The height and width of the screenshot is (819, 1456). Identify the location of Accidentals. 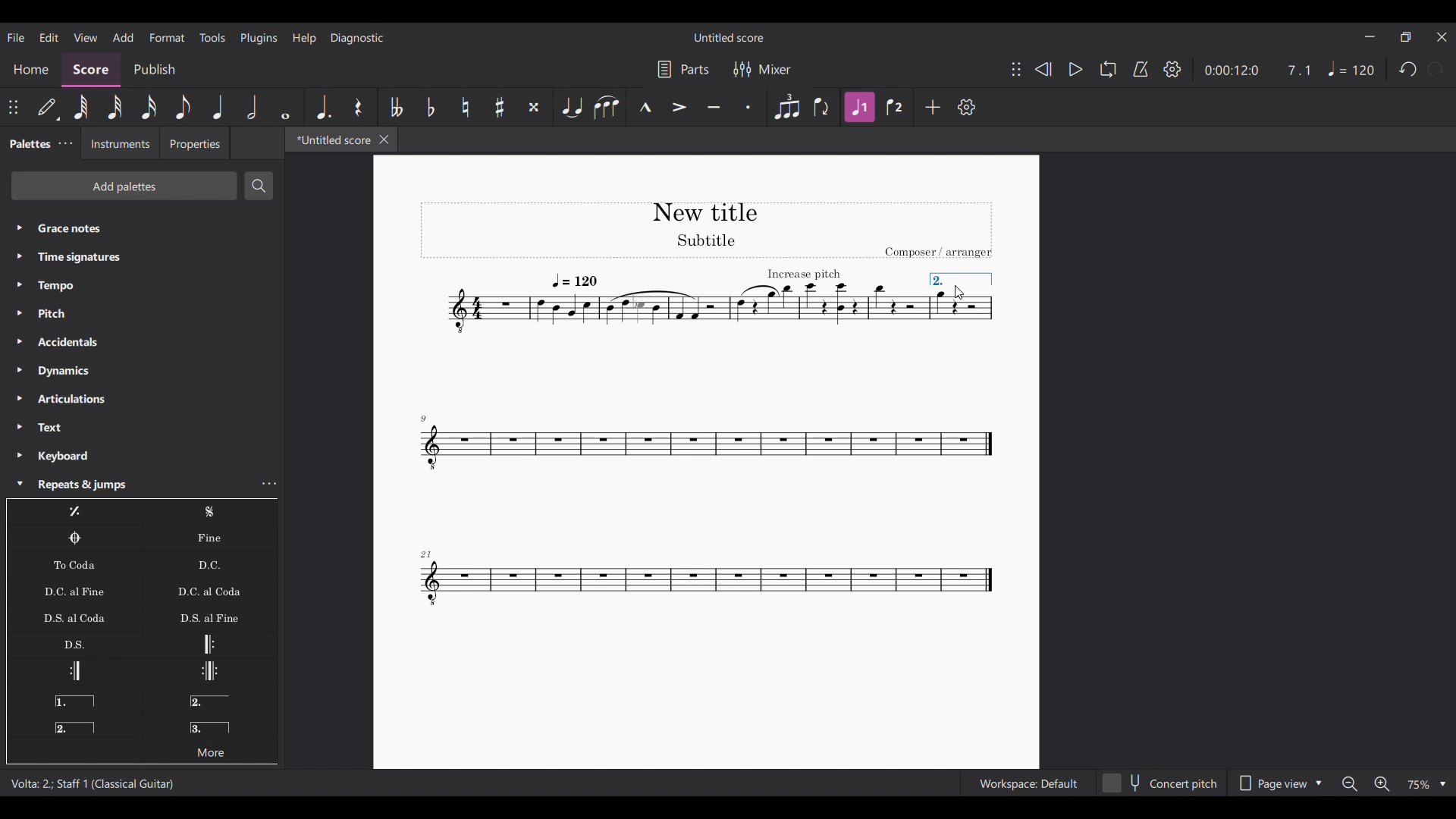
(142, 342).